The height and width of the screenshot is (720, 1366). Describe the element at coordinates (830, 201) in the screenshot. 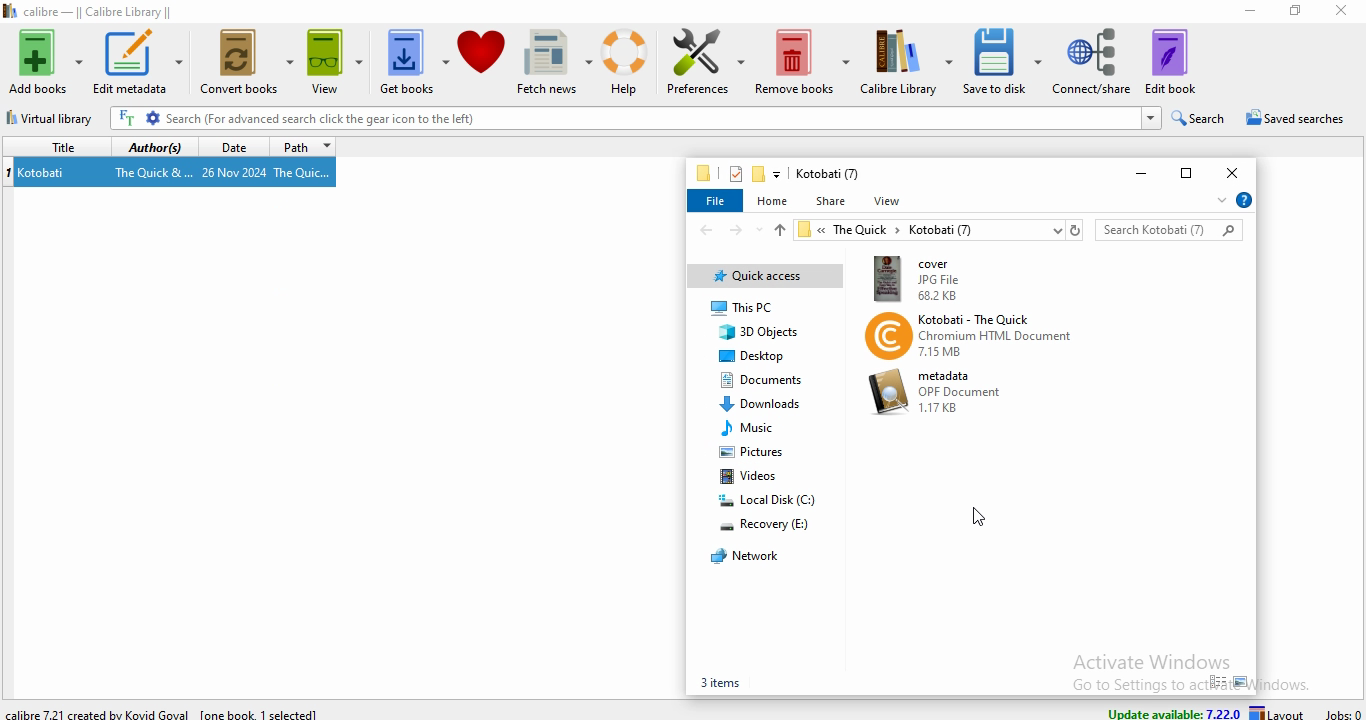

I see `share` at that location.